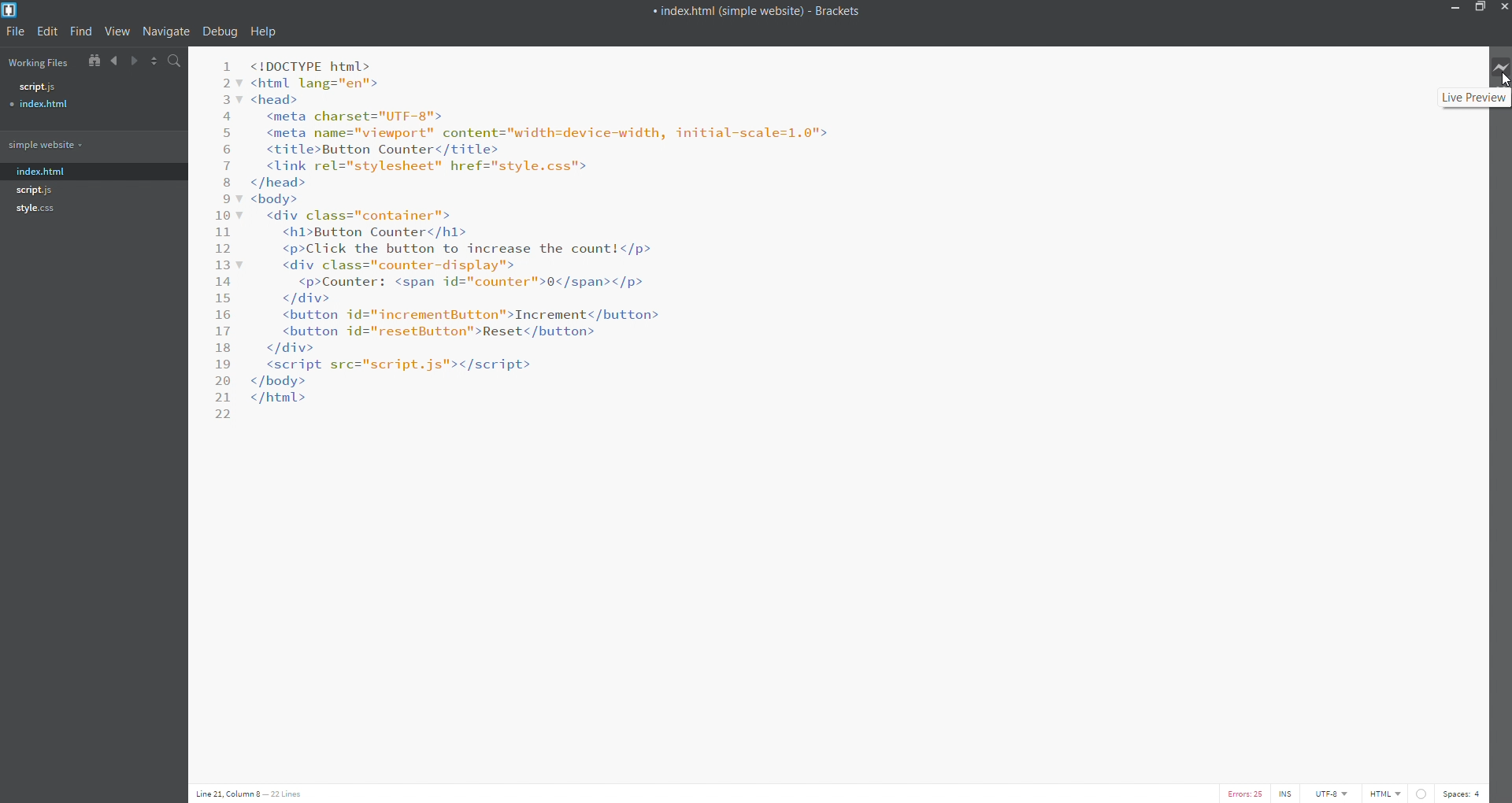 The height and width of the screenshot is (803, 1512). What do you see at coordinates (81, 33) in the screenshot?
I see `find` at bounding box center [81, 33].